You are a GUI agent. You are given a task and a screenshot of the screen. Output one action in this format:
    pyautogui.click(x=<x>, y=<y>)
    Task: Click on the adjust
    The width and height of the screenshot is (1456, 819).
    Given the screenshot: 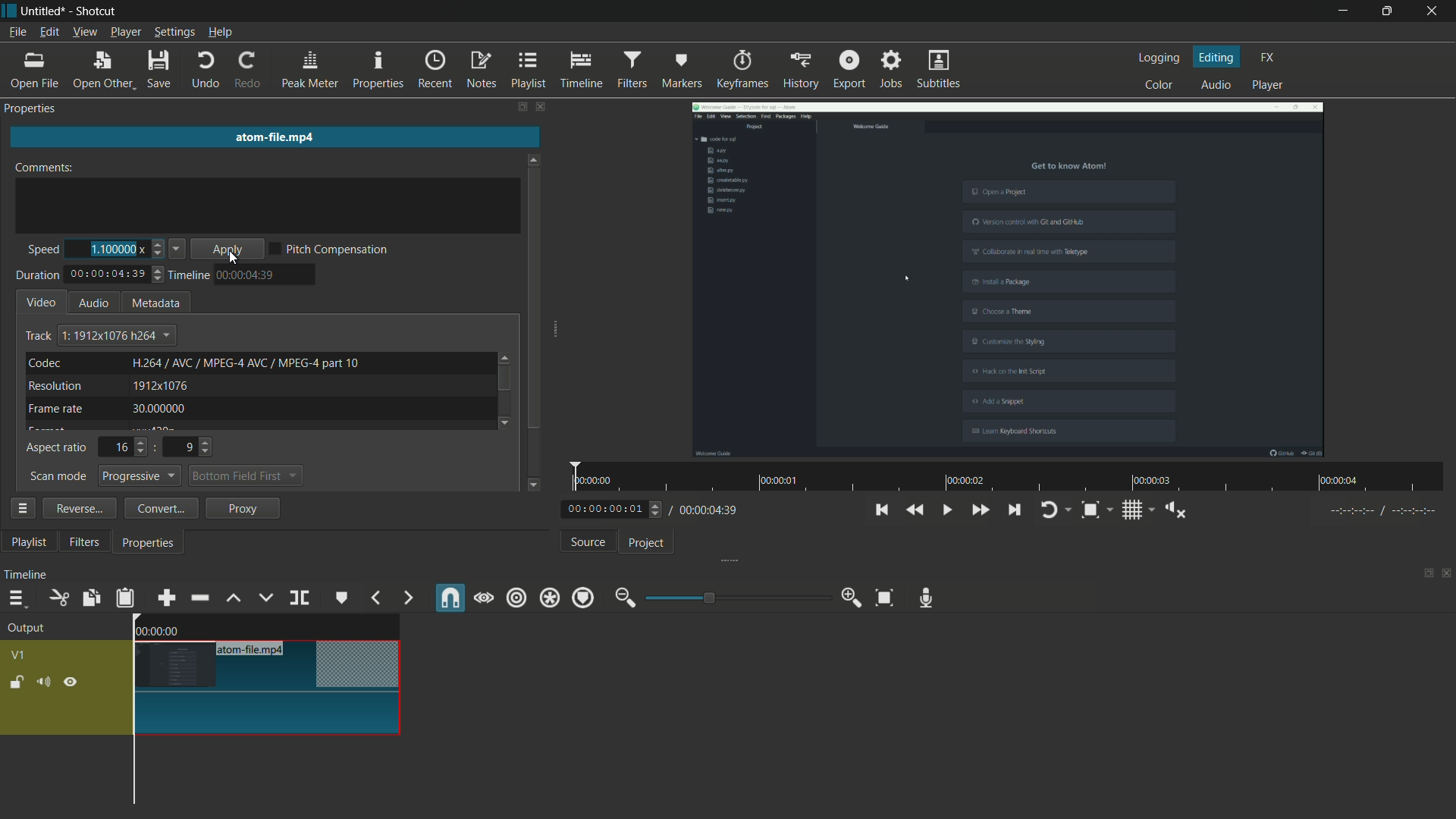 What is the action you would take?
    pyautogui.click(x=157, y=249)
    